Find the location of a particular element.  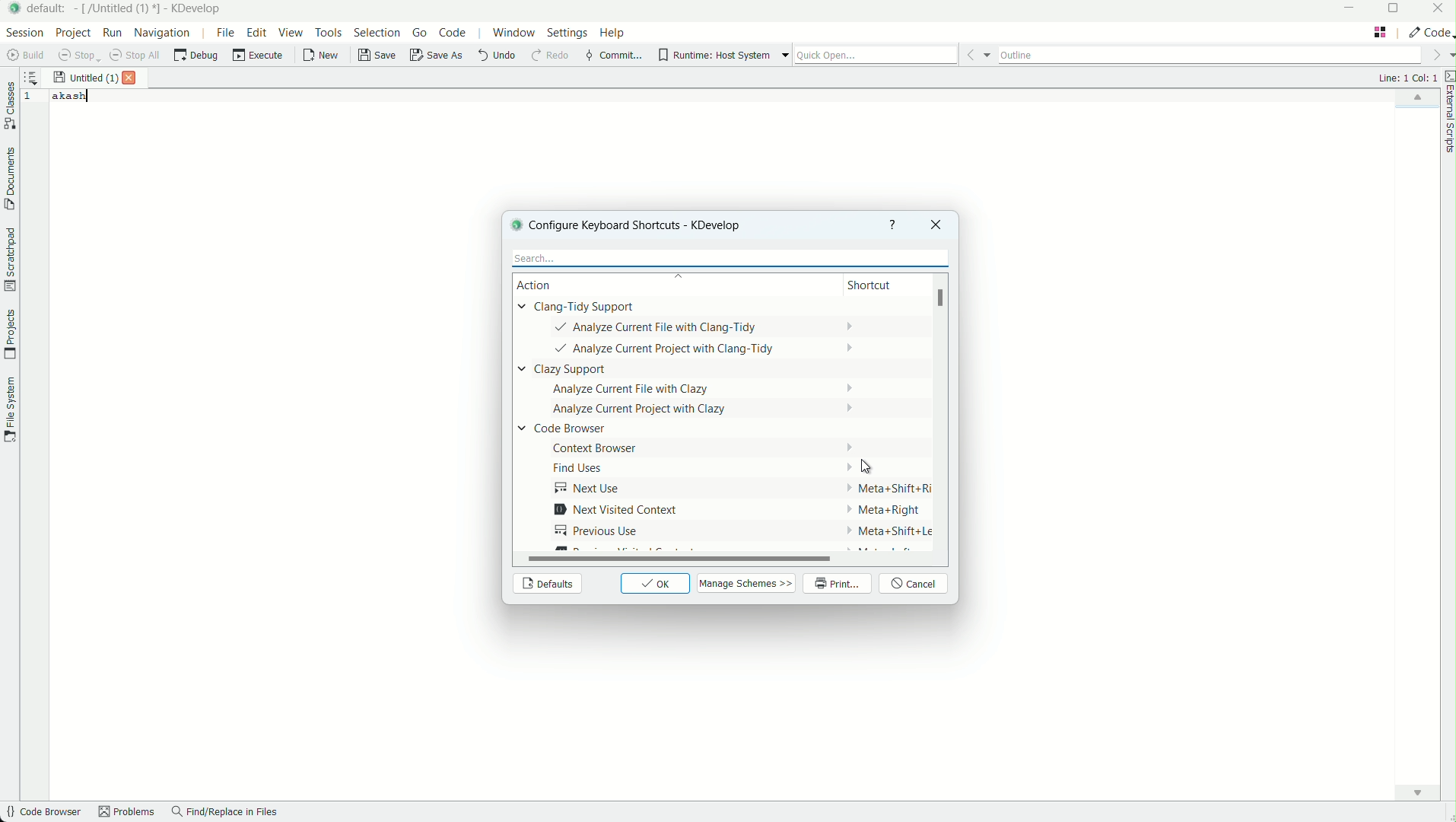

file name is located at coordinates (85, 78).